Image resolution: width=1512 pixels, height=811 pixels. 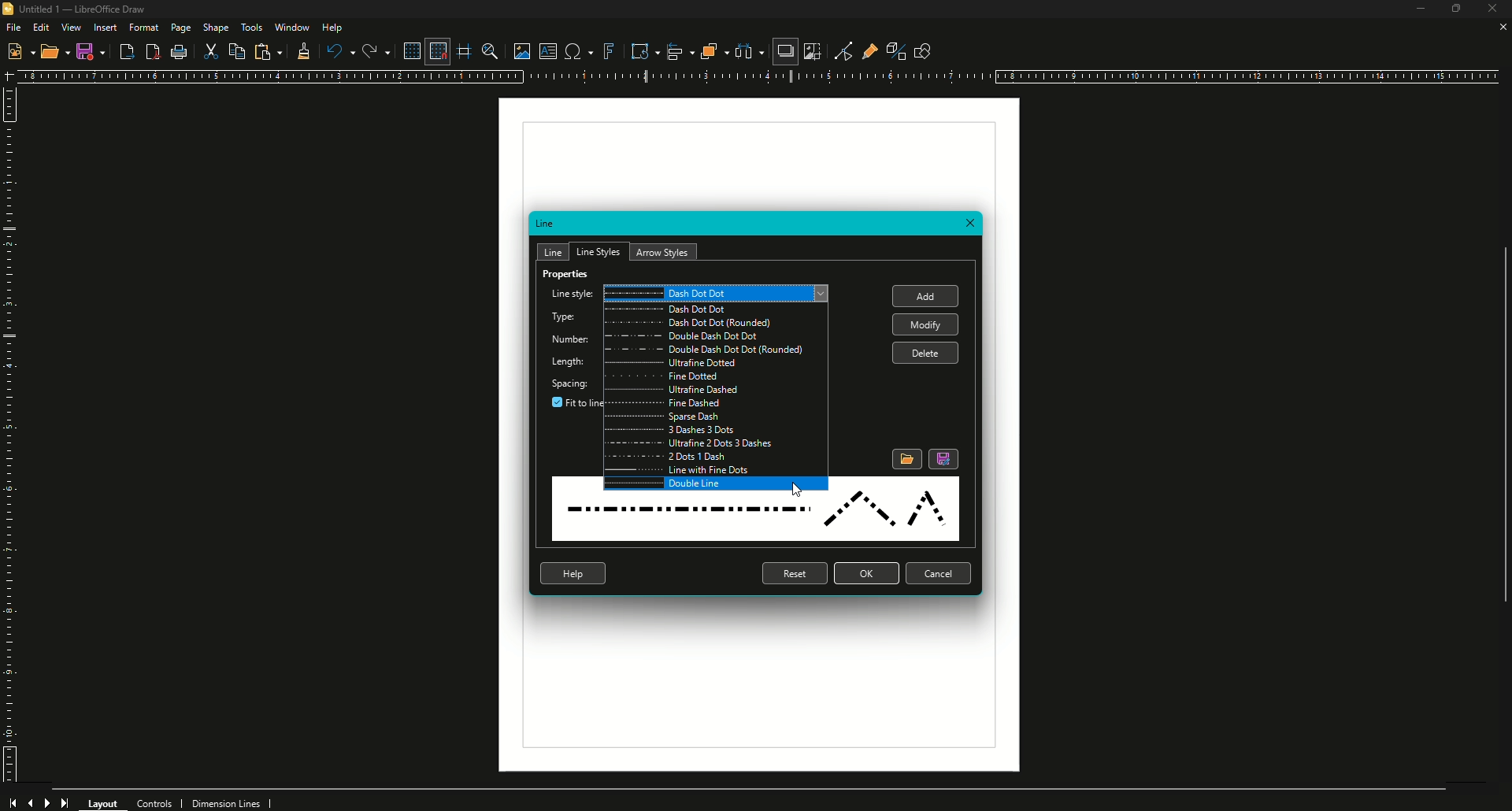 I want to click on 2 Dots 1 Dash, so click(x=716, y=457).